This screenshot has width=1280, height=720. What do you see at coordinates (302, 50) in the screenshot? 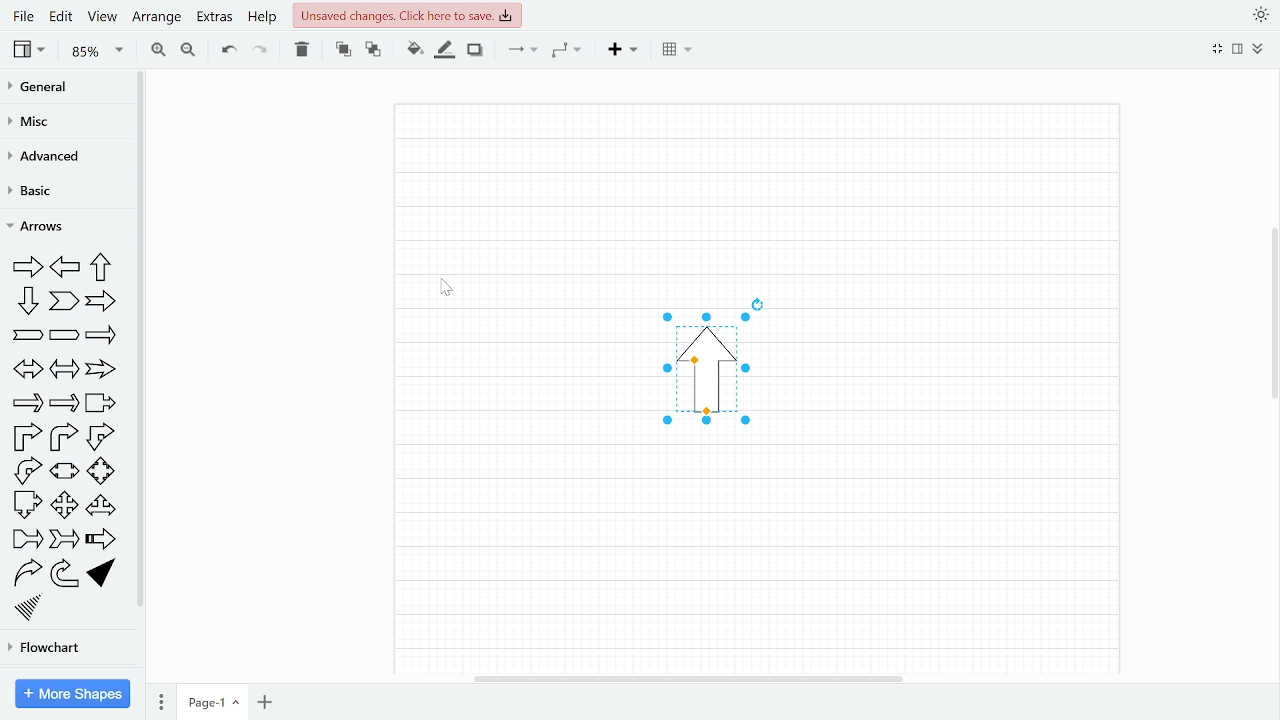
I see `Delete` at bounding box center [302, 50].